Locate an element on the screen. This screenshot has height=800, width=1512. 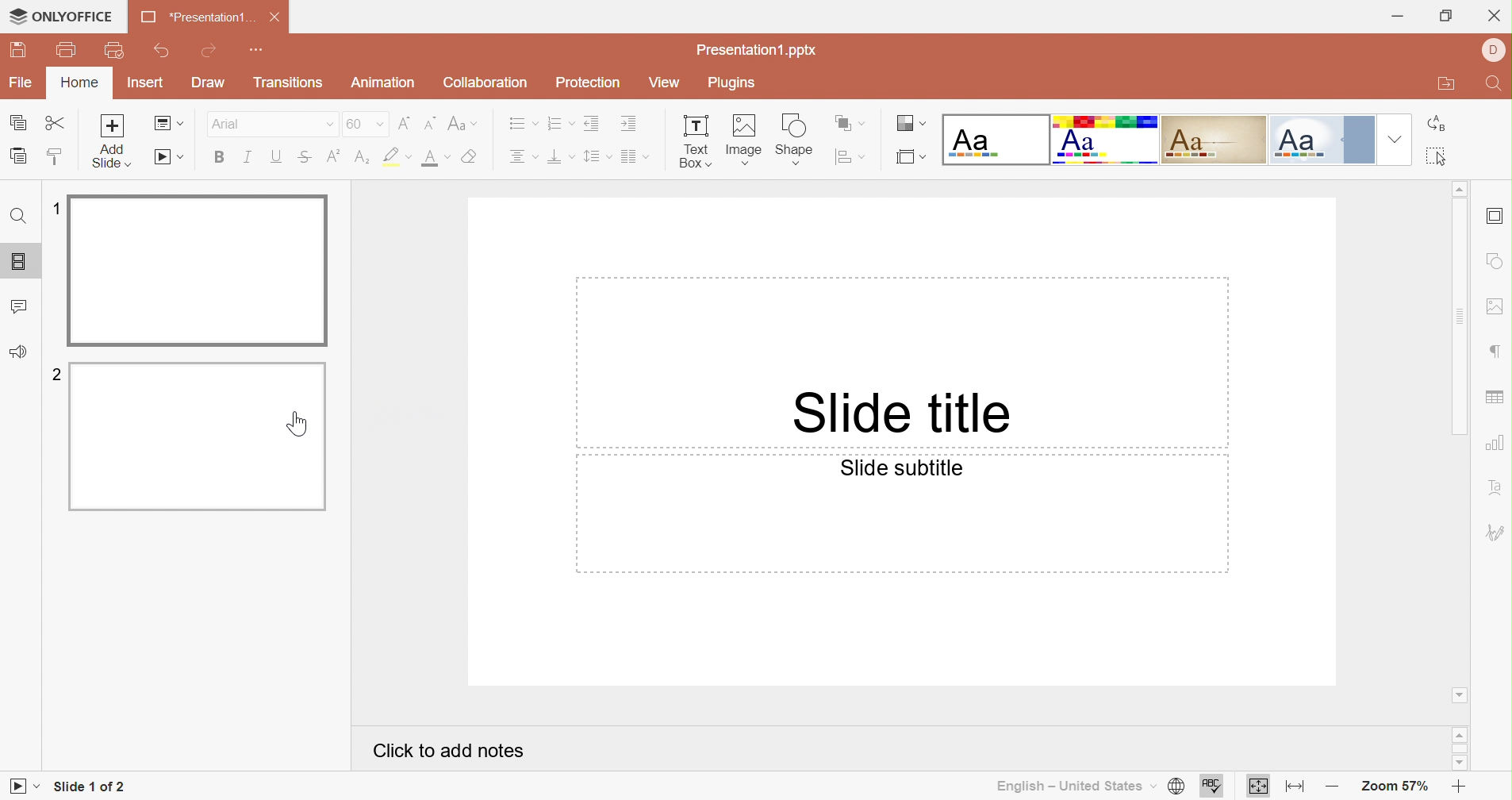
Restore Down is located at coordinates (1446, 18).